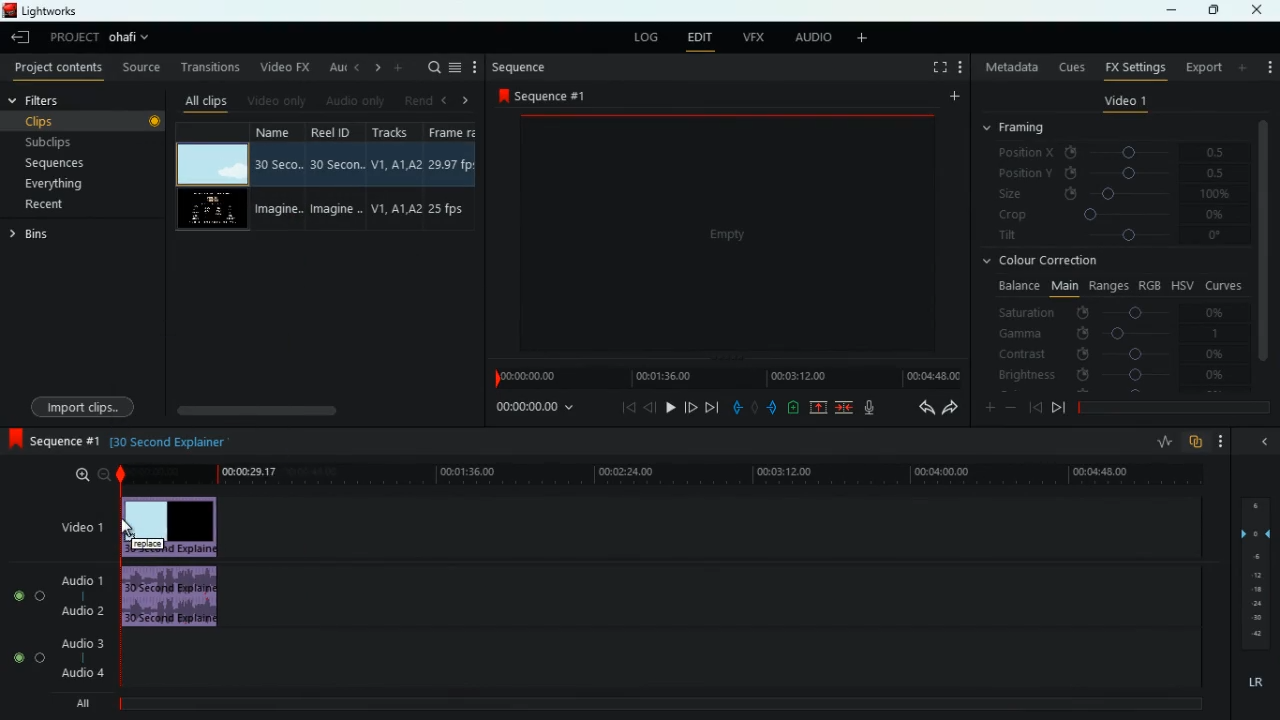  Describe the element at coordinates (79, 526) in the screenshot. I see `video 1` at that location.